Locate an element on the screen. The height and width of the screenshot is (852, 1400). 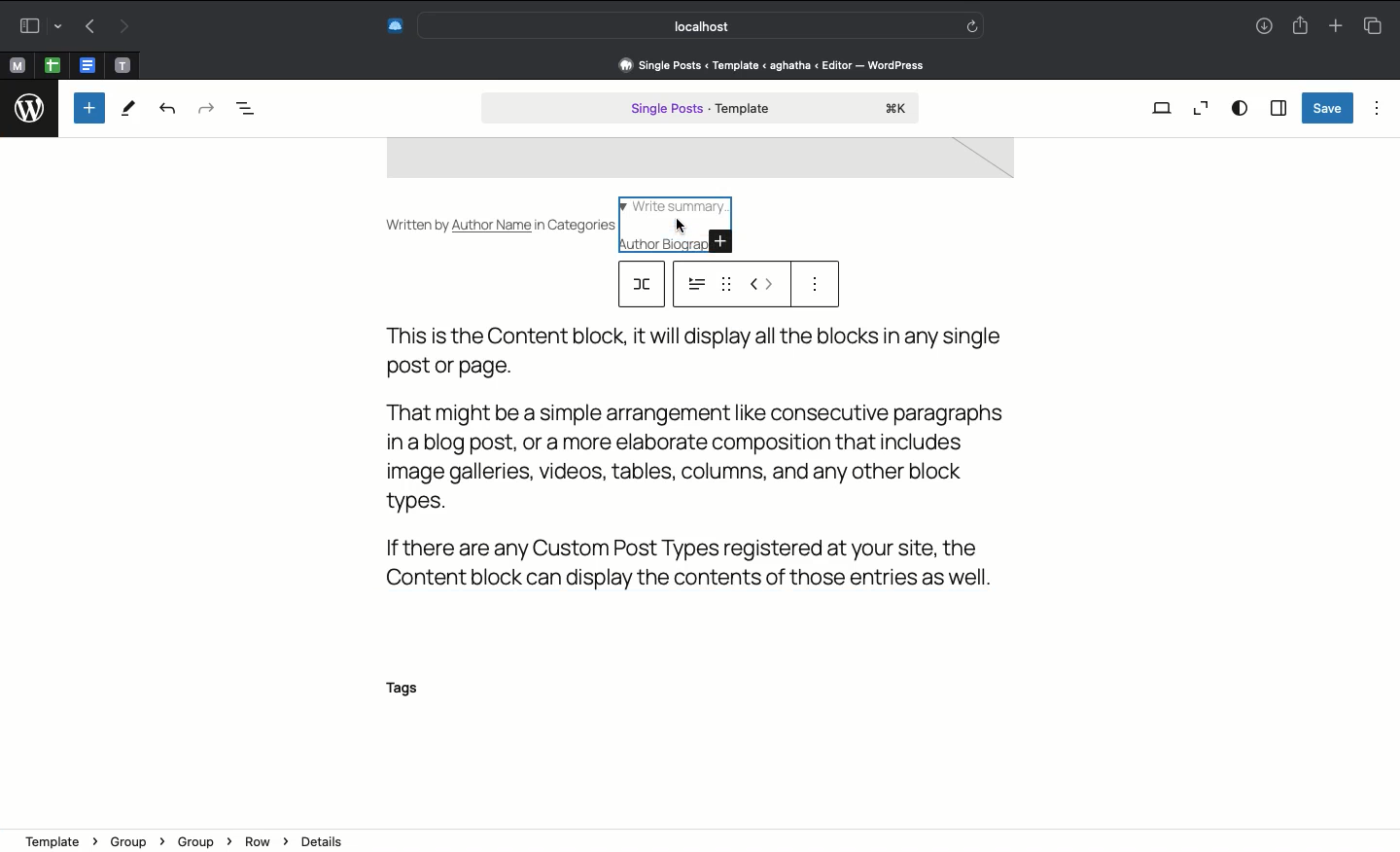
row is located at coordinates (641, 284).